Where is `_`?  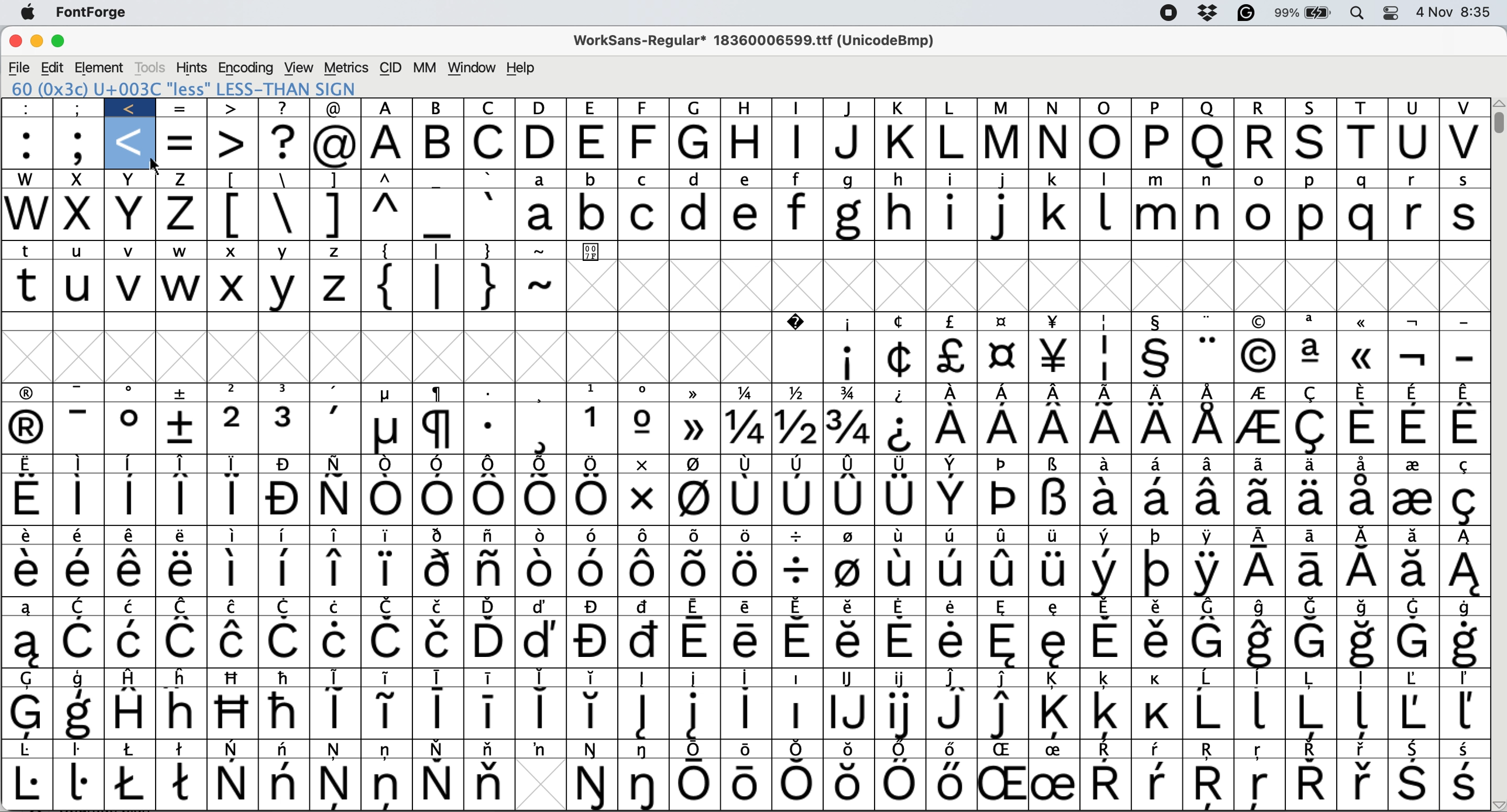 _ is located at coordinates (440, 216).